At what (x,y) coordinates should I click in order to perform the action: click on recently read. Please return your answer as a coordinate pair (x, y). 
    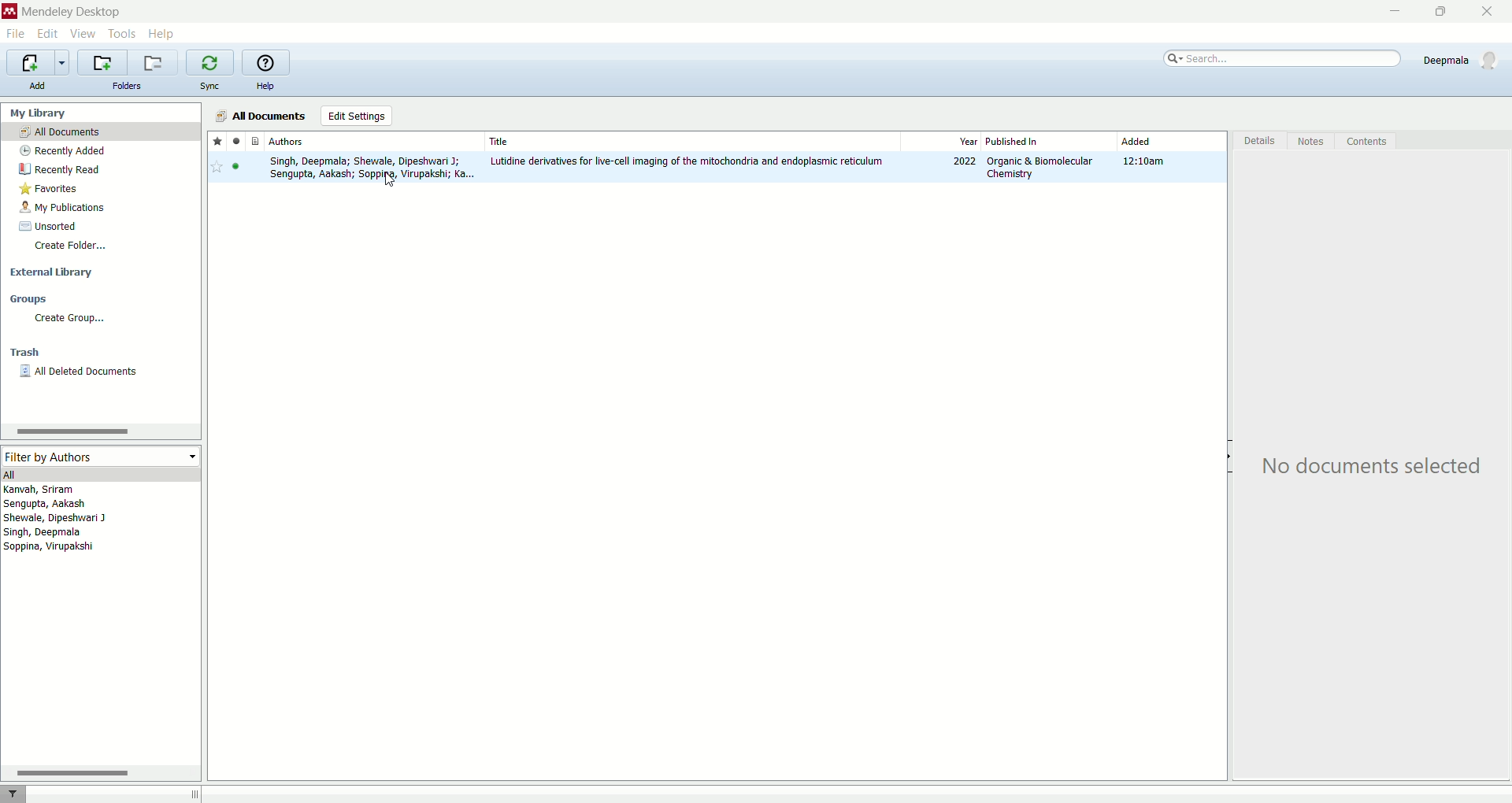
    Looking at the image, I should click on (98, 168).